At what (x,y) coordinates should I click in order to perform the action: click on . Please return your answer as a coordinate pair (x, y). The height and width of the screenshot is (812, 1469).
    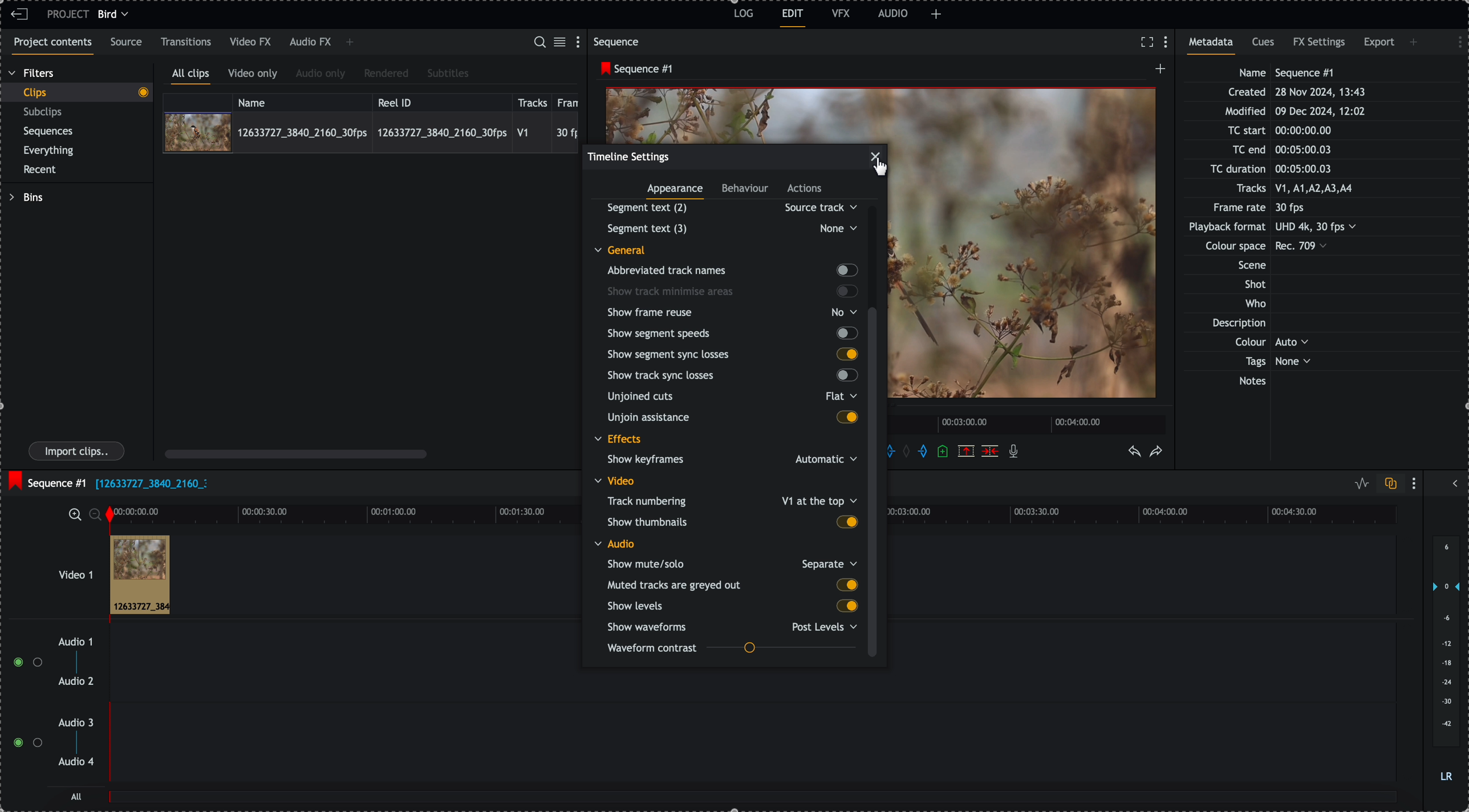
    Looking at the image, I should click on (730, 228).